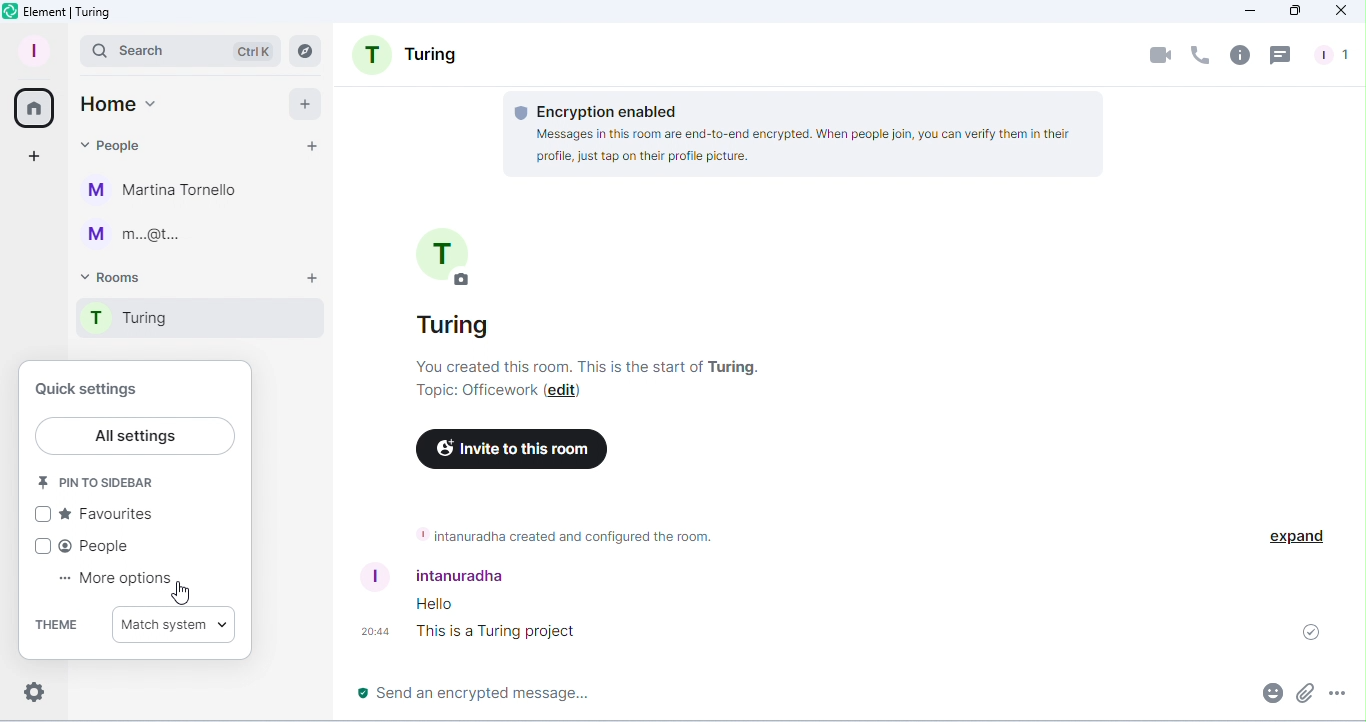 This screenshot has height=722, width=1366. I want to click on Threads, so click(1280, 56).